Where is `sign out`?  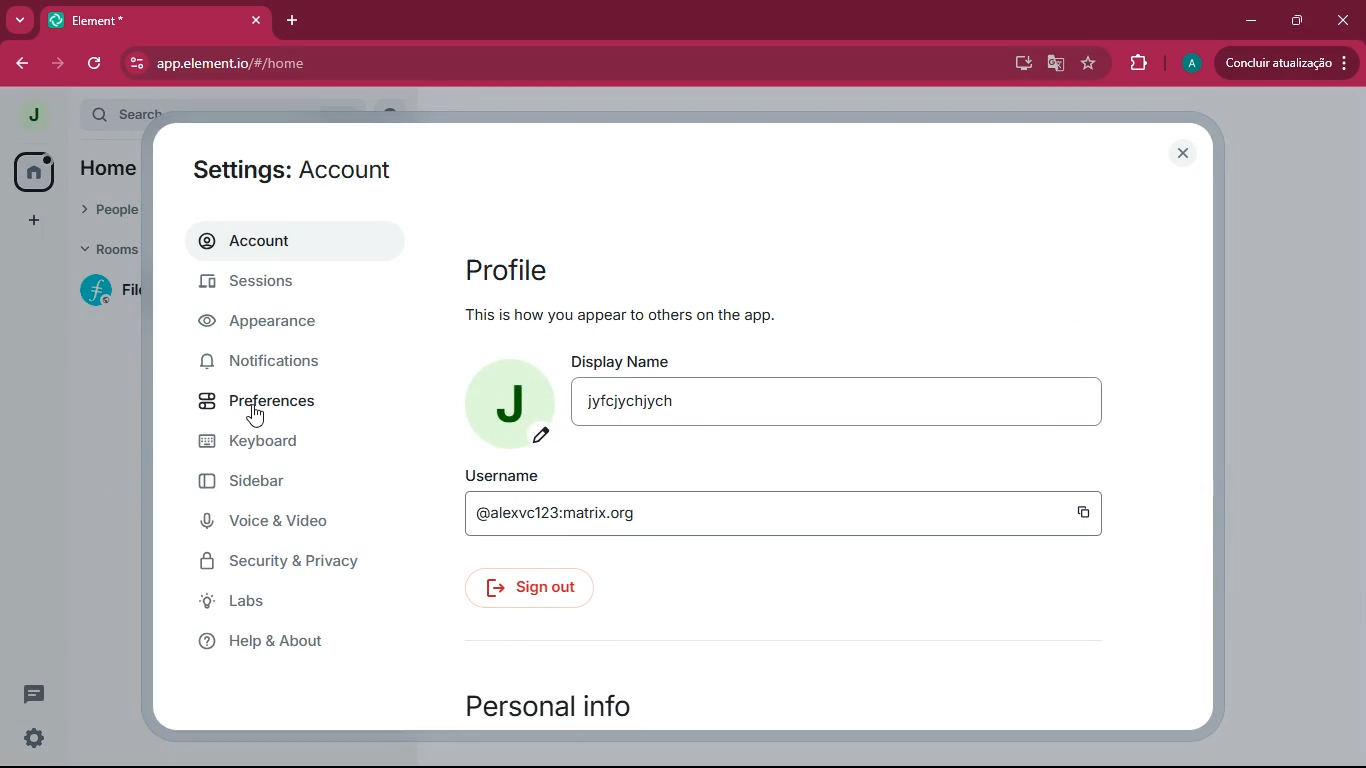 sign out is located at coordinates (540, 586).